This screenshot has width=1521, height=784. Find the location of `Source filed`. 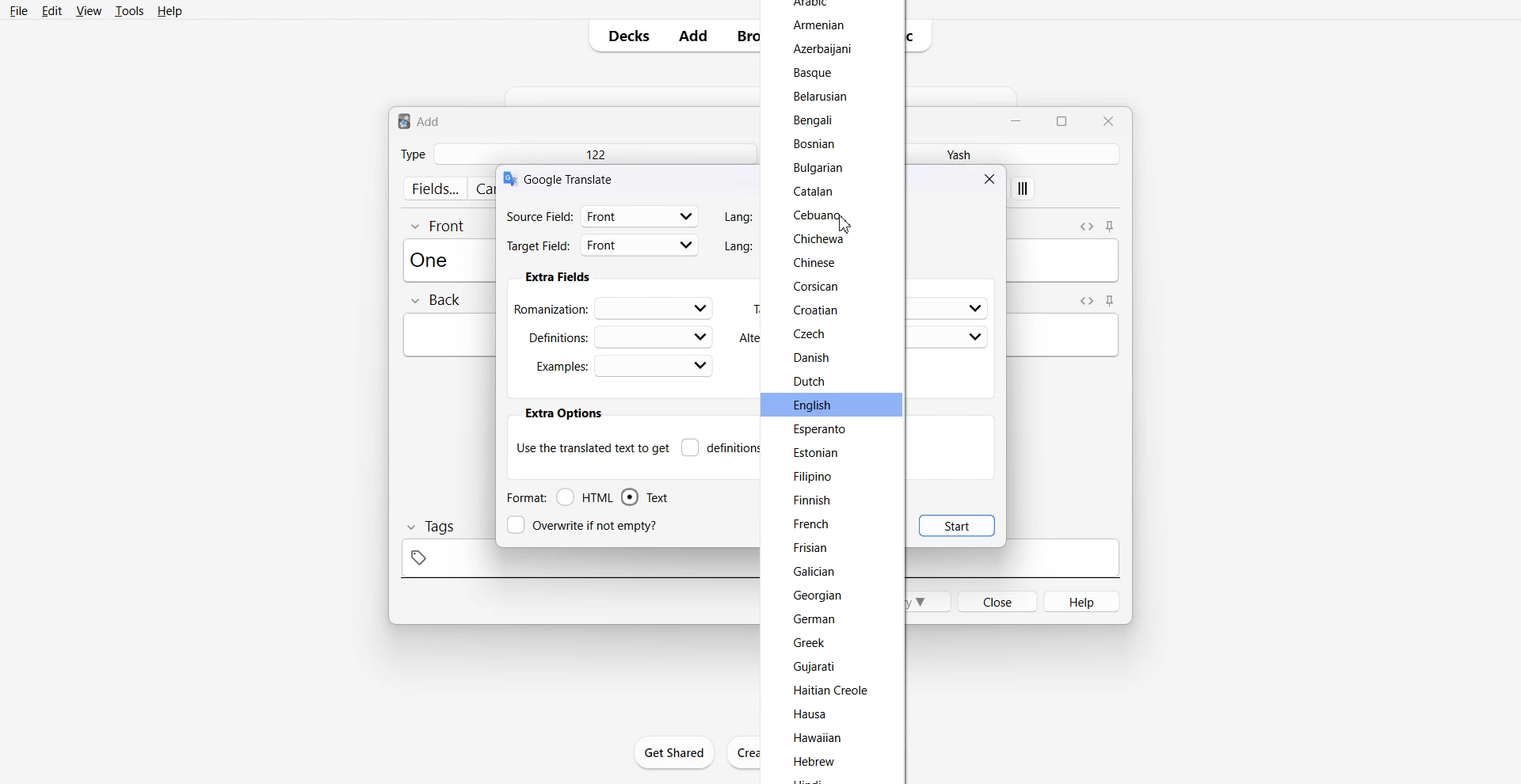

Source filed is located at coordinates (603, 215).